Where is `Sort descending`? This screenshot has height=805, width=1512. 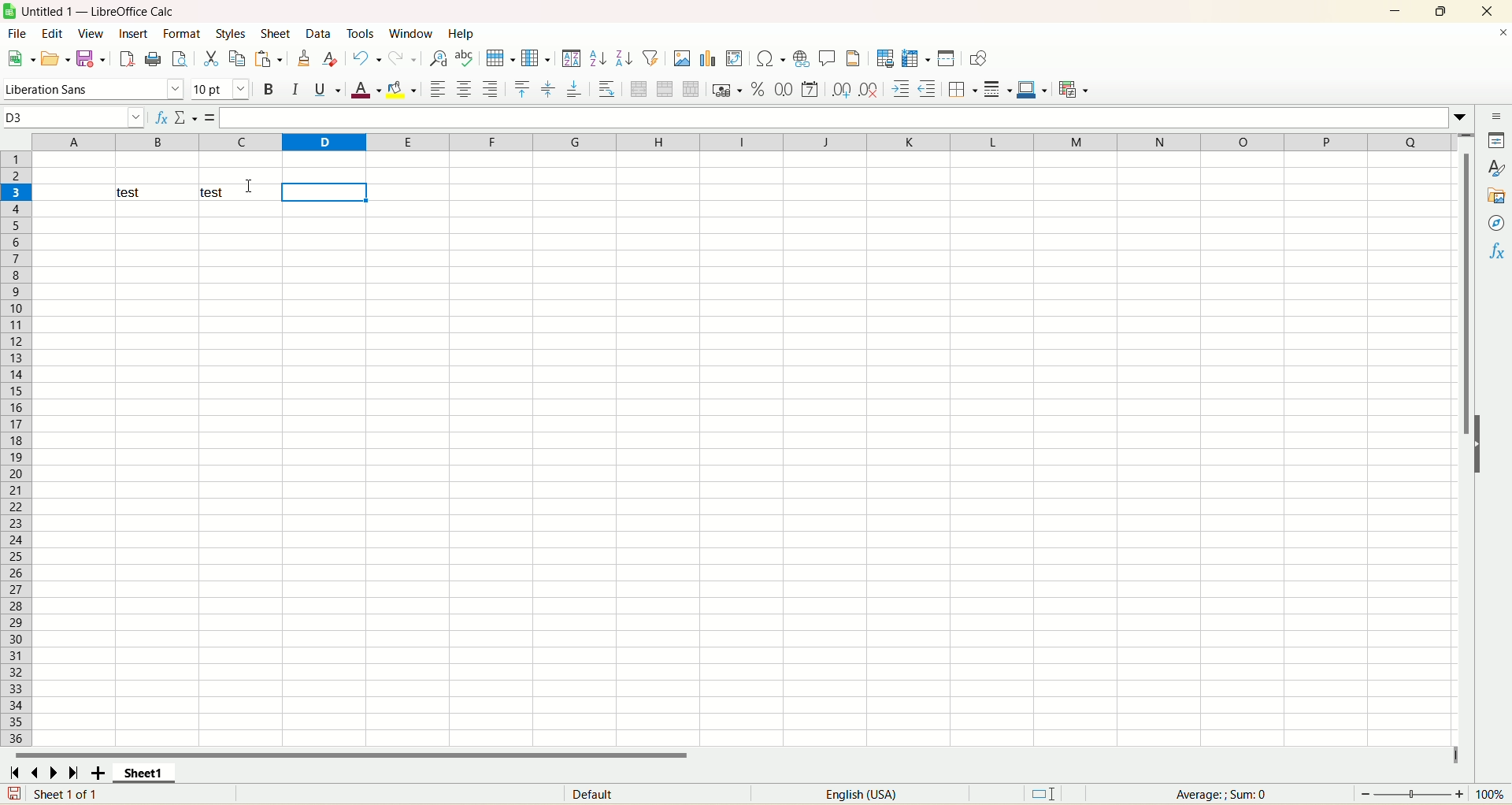 Sort descending is located at coordinates (624, 57).